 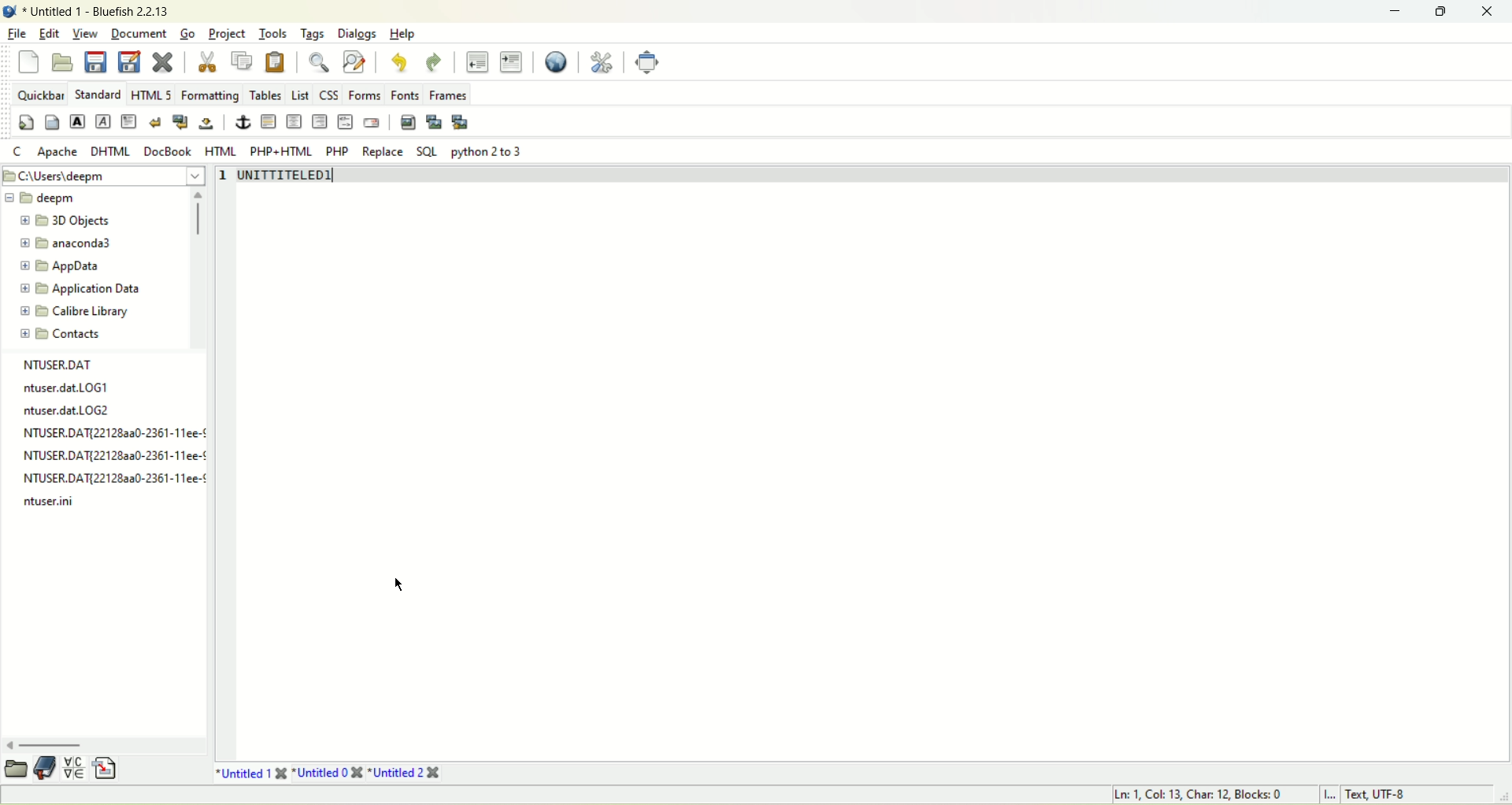 I want to click on Formatting, so click(x=206, y=93).